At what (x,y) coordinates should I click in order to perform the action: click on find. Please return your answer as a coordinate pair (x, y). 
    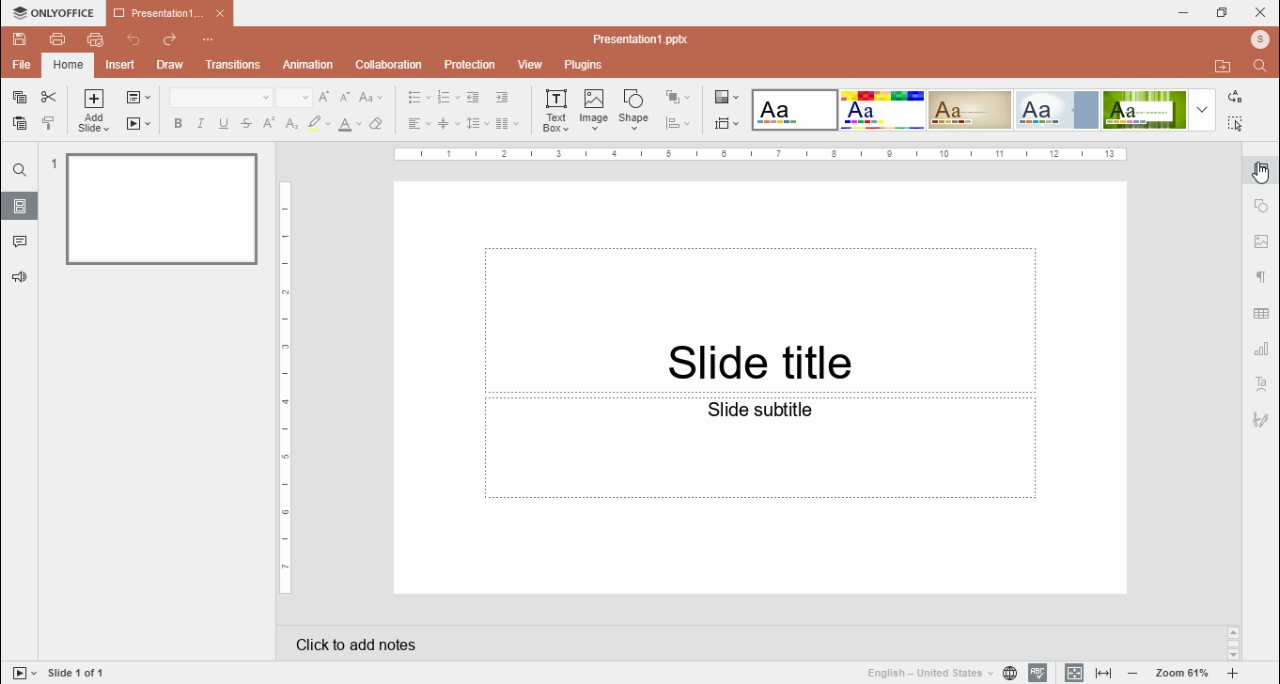
    Looking at the image, I should click on (20, 170).